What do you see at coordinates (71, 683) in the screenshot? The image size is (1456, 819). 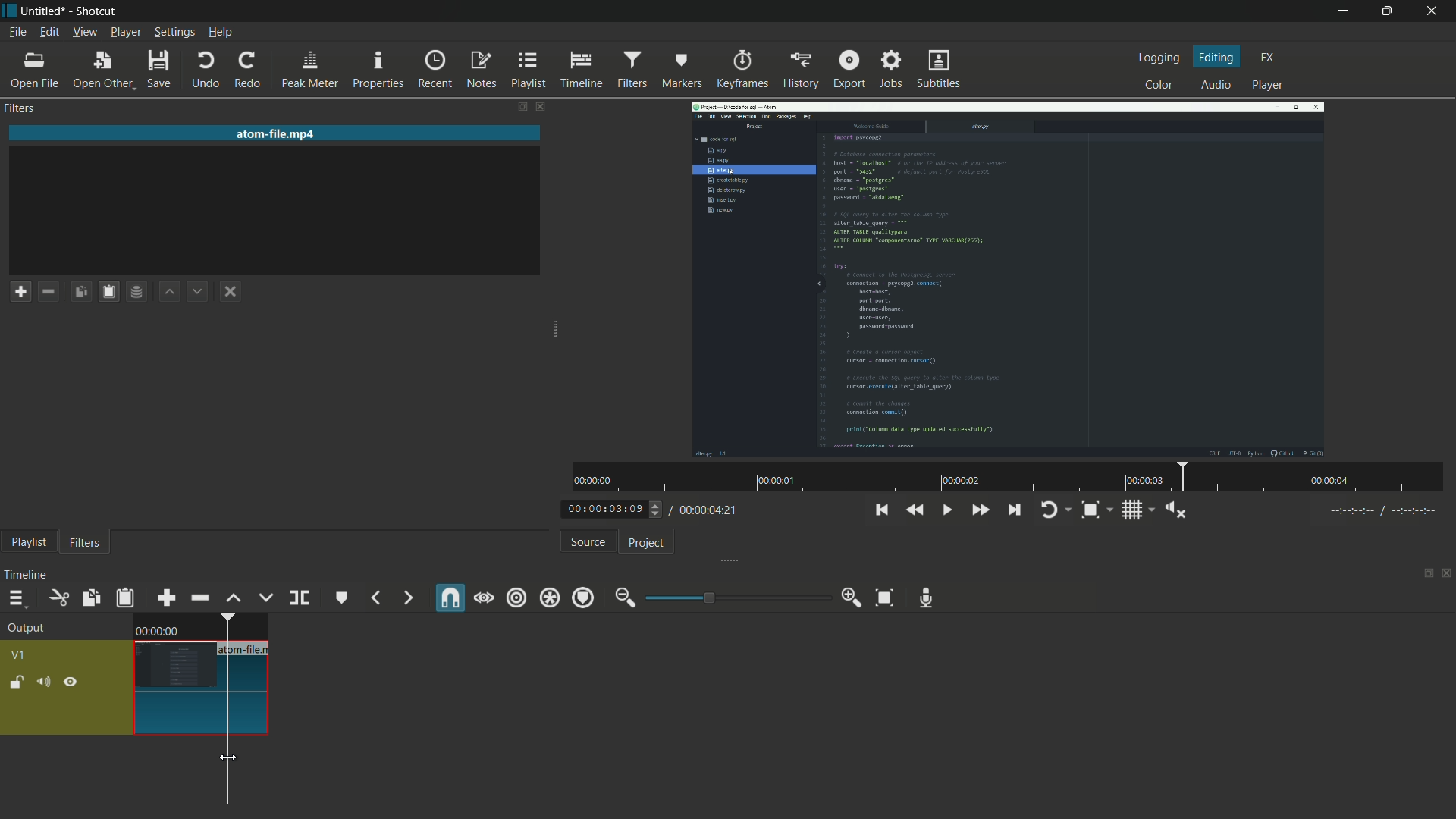 I see `hide` at bounding box center [71, 683].